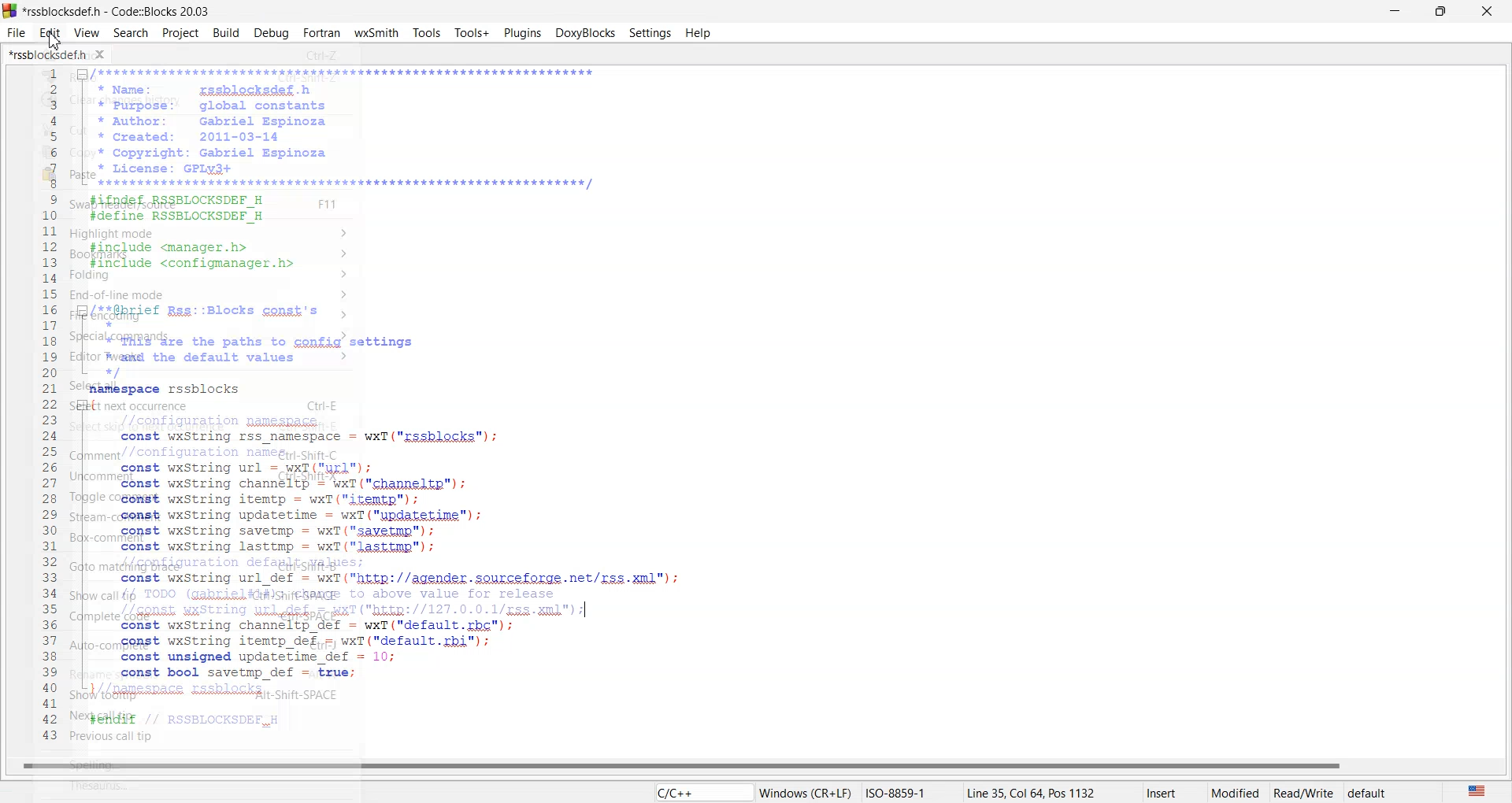 The width and height of the screenshot is (1512, 803). I want to click on cursor on Edit, so click(54, 42).